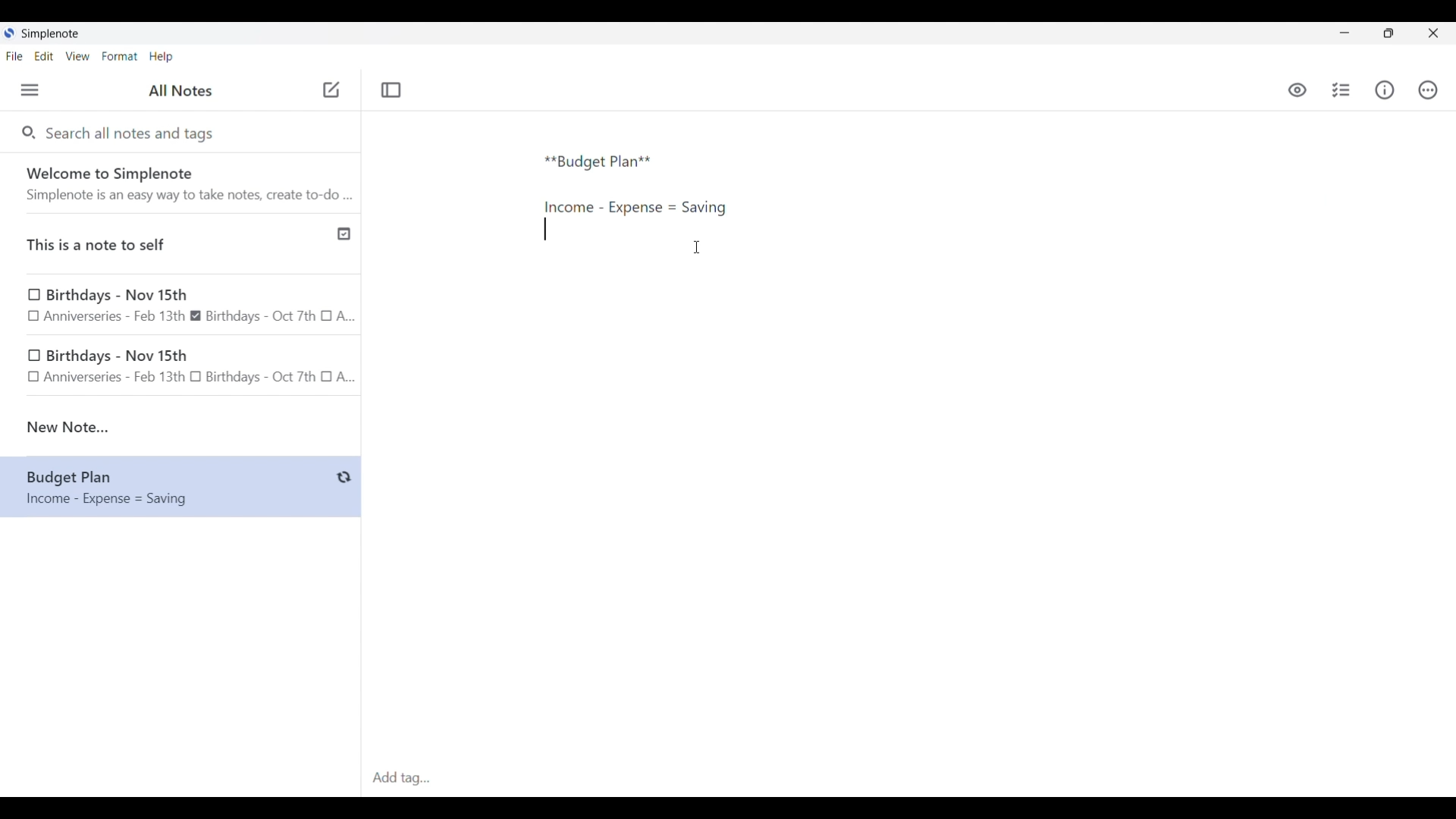 This screenshot has height=819, width=1456. I want to click on Search all notes and tags, so click(133, 132).